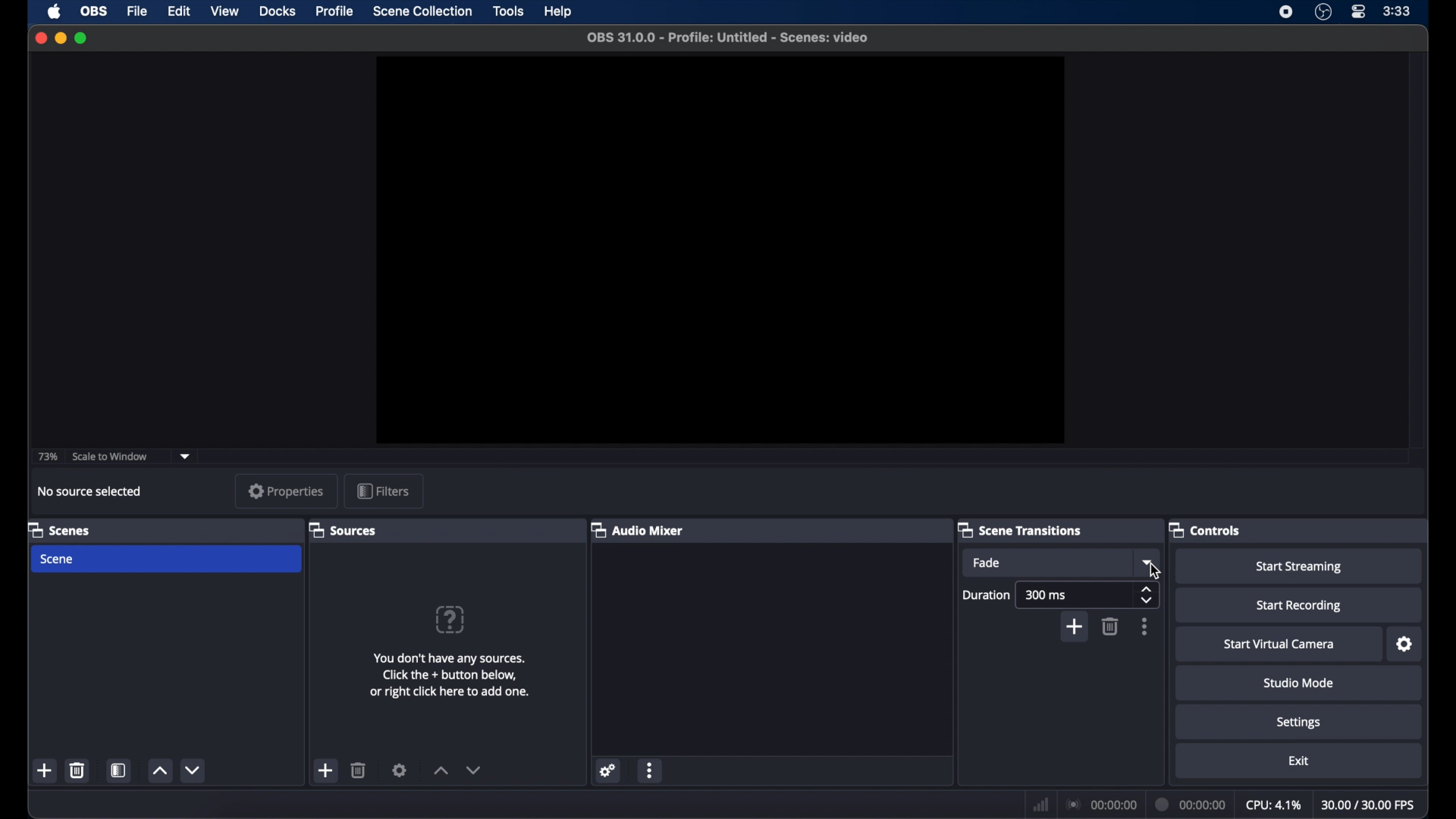 The width and height of the screenshot is (1456, 819). What do you see at coordinates (1150, 563) in the screenshot?
I see `dropdown` at bounding box center [1150, 563].